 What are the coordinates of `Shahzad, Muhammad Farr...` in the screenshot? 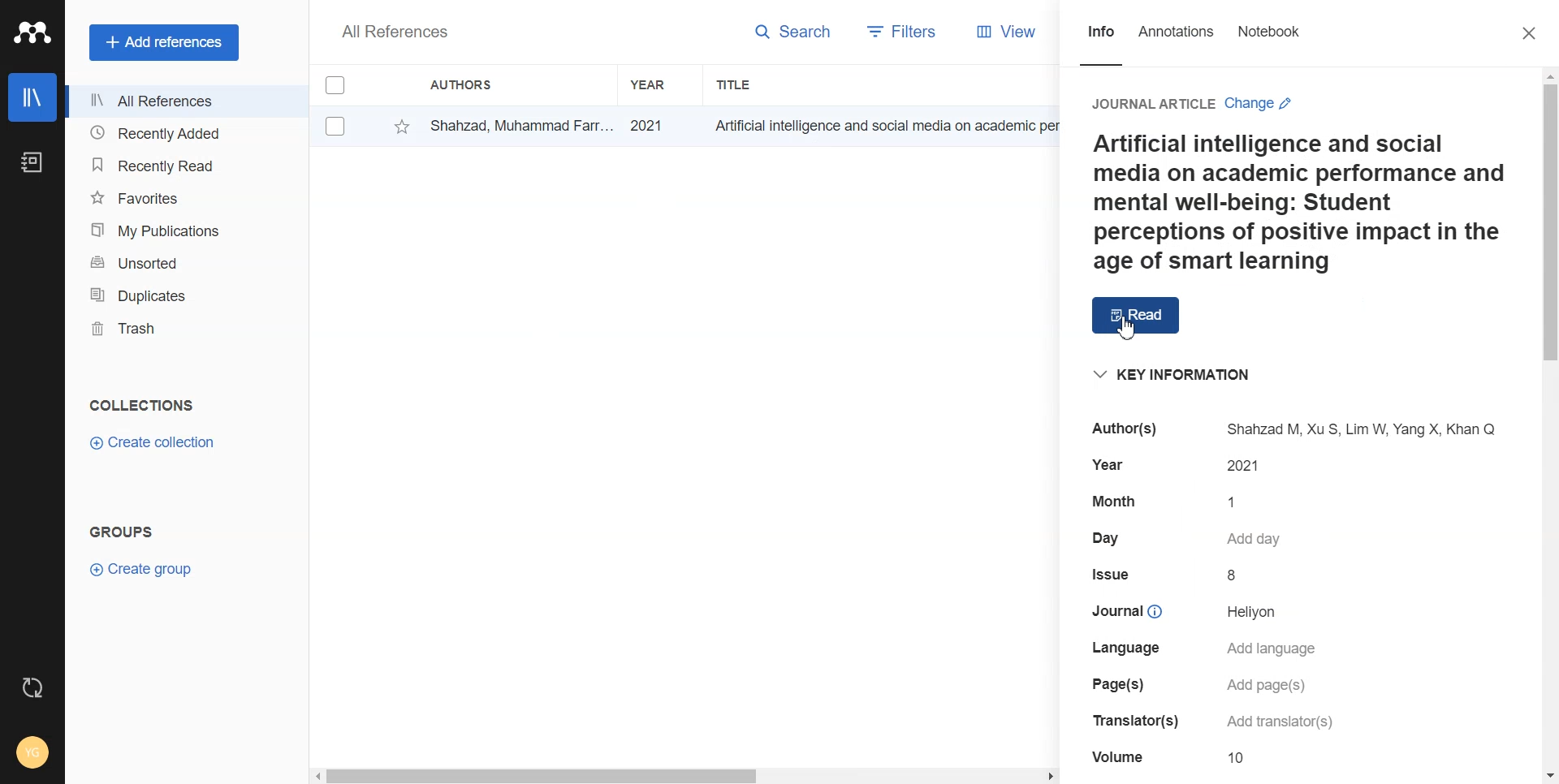 It's located at (520, 124).